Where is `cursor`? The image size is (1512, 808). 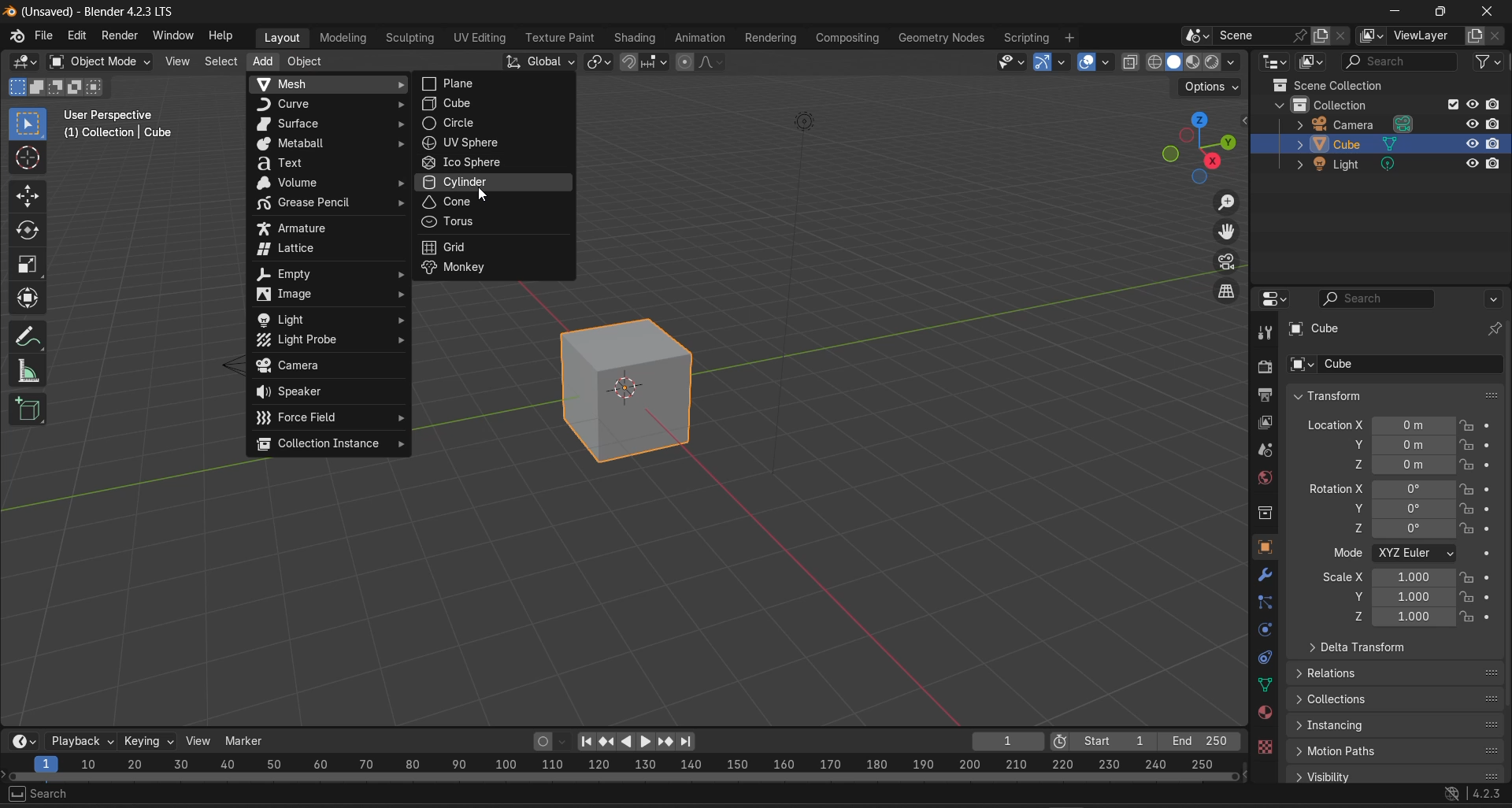
cursor is located at coordinates (483, 195).